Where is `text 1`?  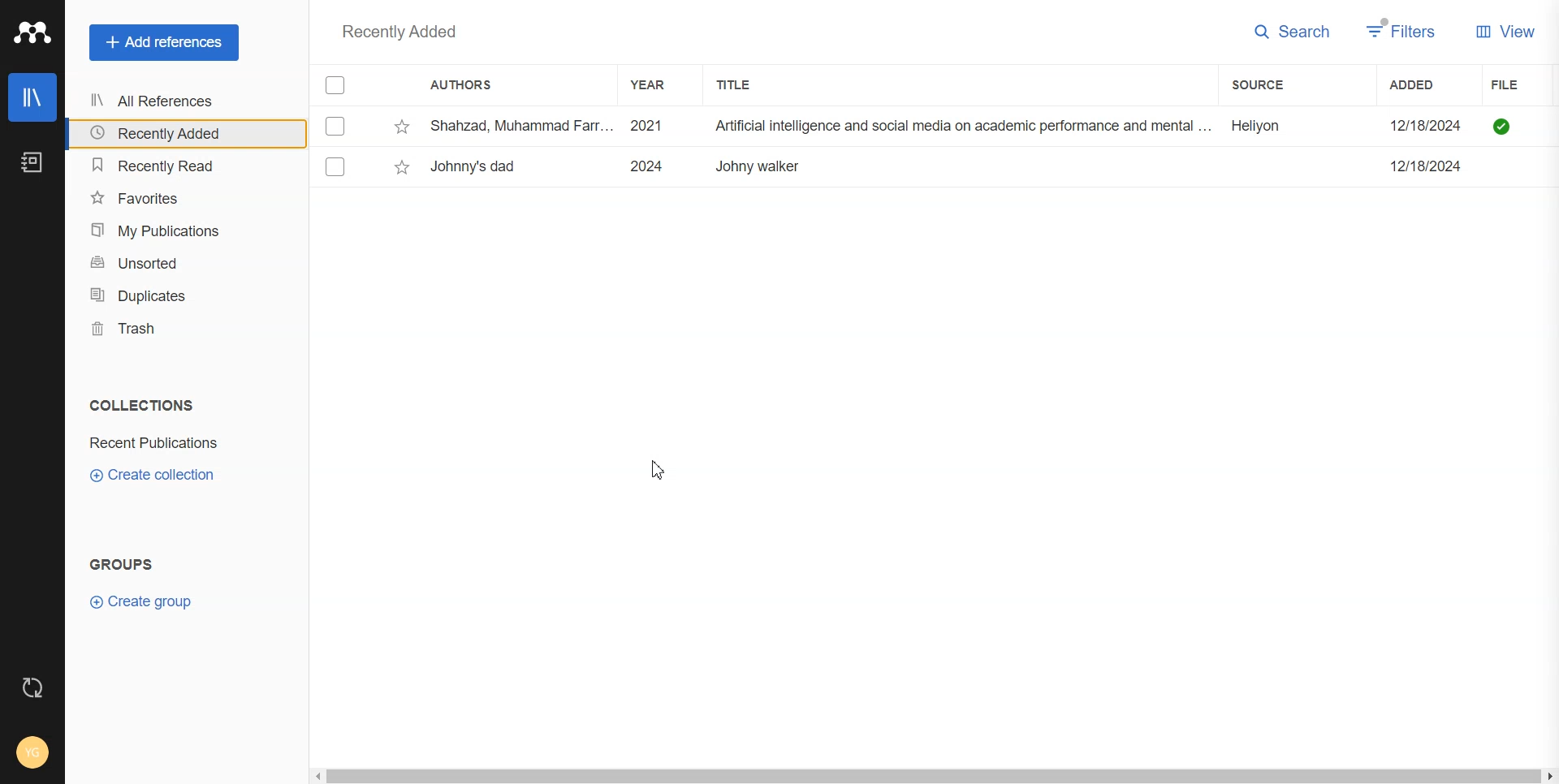
text 1 is located at coordinates (138, 405).